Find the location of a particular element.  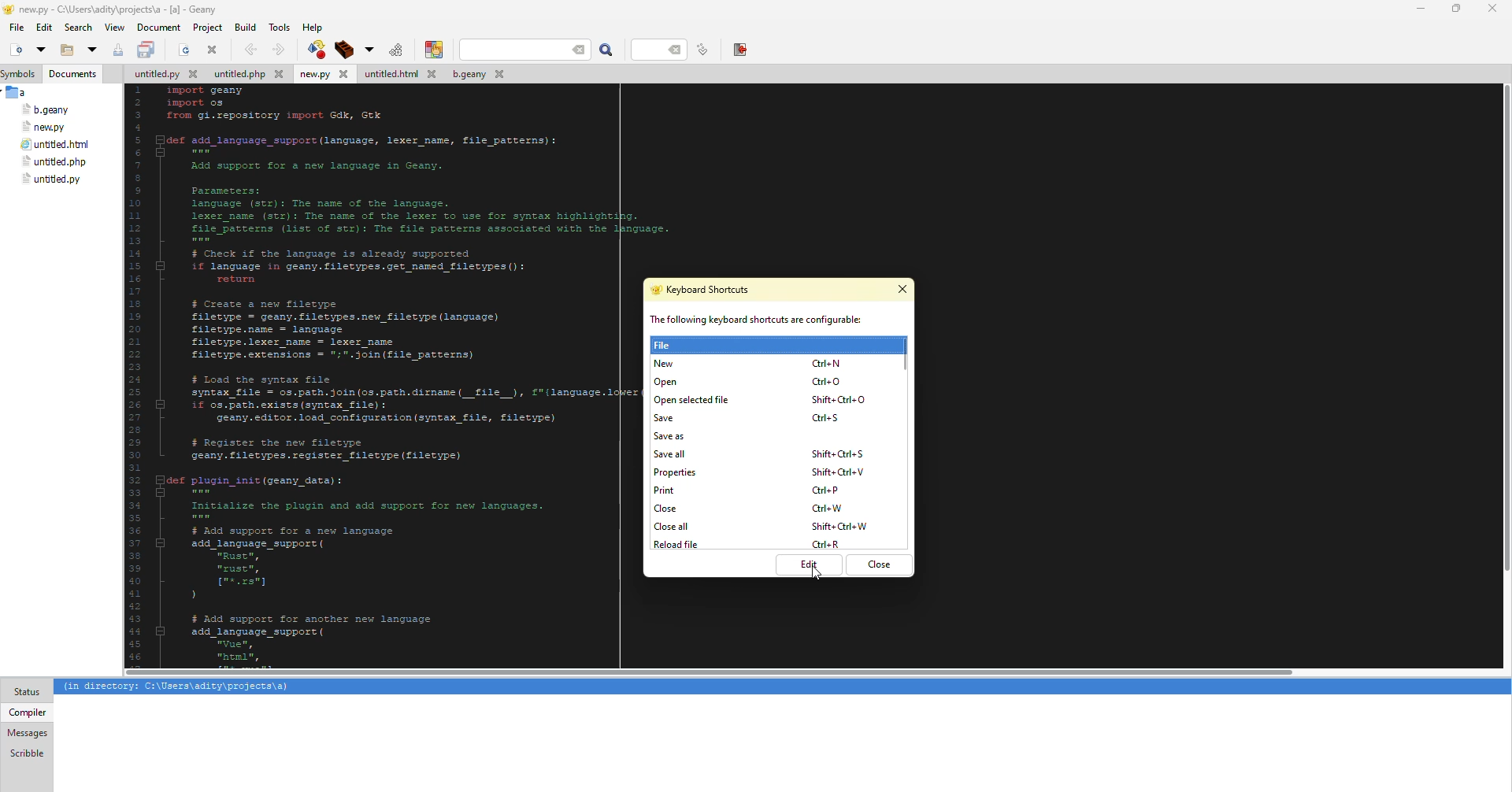

reload is located at coordinates (677, 545).